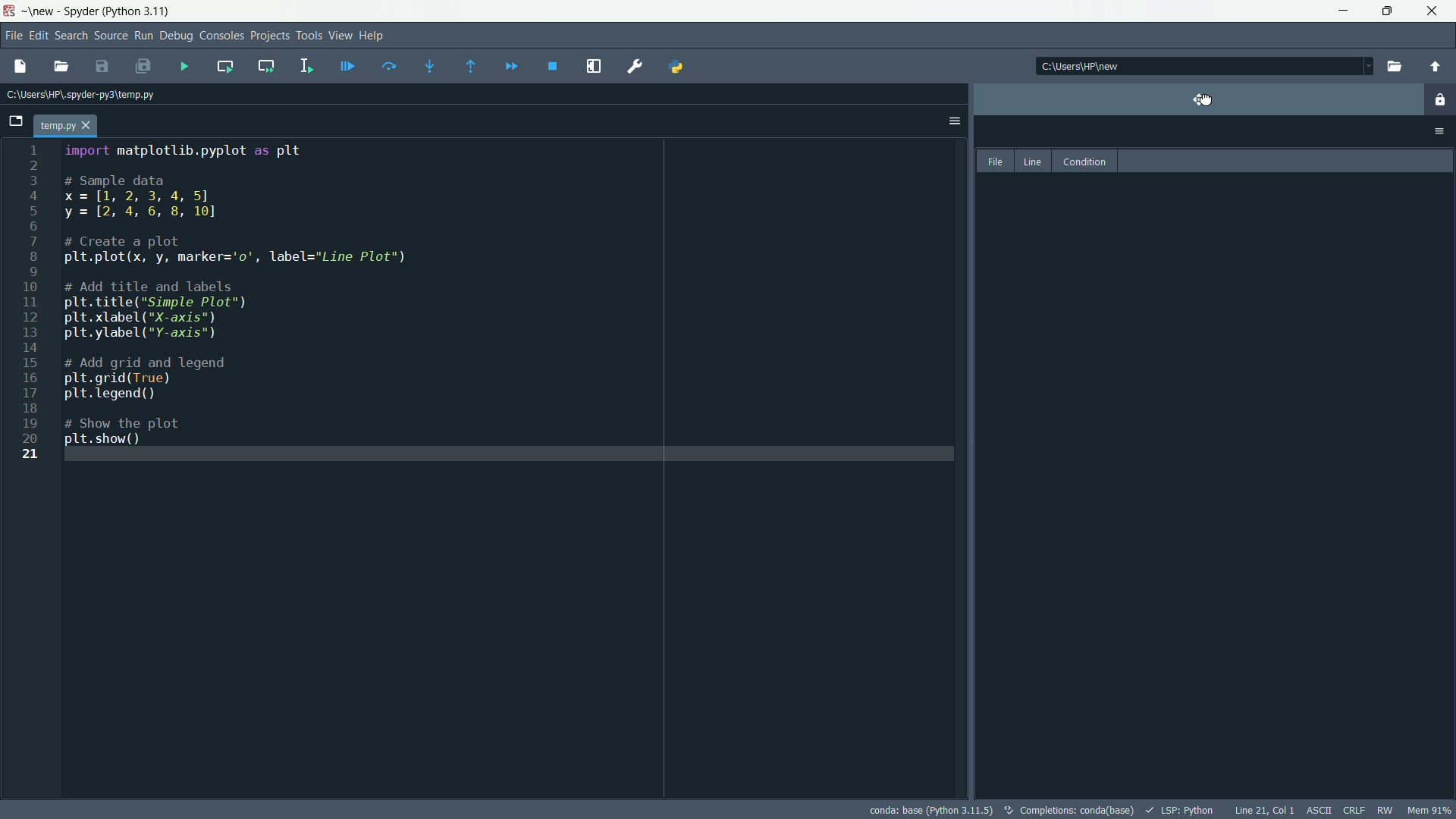 The width and height of the screenshot is (1456, 819). What do you see at coordinates (1388, 11) in the screenshot?
I see `close app` at bounding box center [1388, 11].